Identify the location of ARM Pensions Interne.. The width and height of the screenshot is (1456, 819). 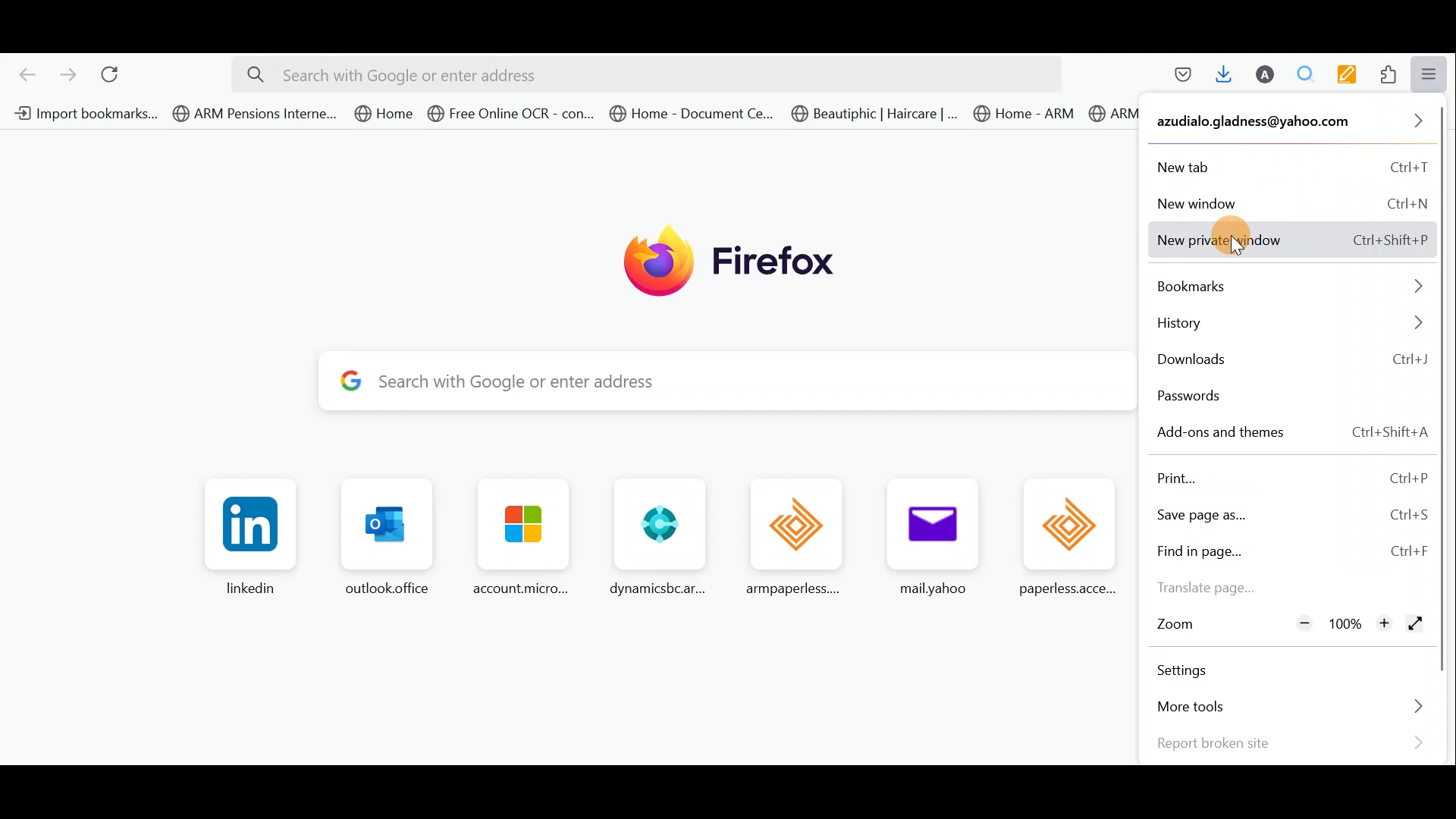
(1113, 117).